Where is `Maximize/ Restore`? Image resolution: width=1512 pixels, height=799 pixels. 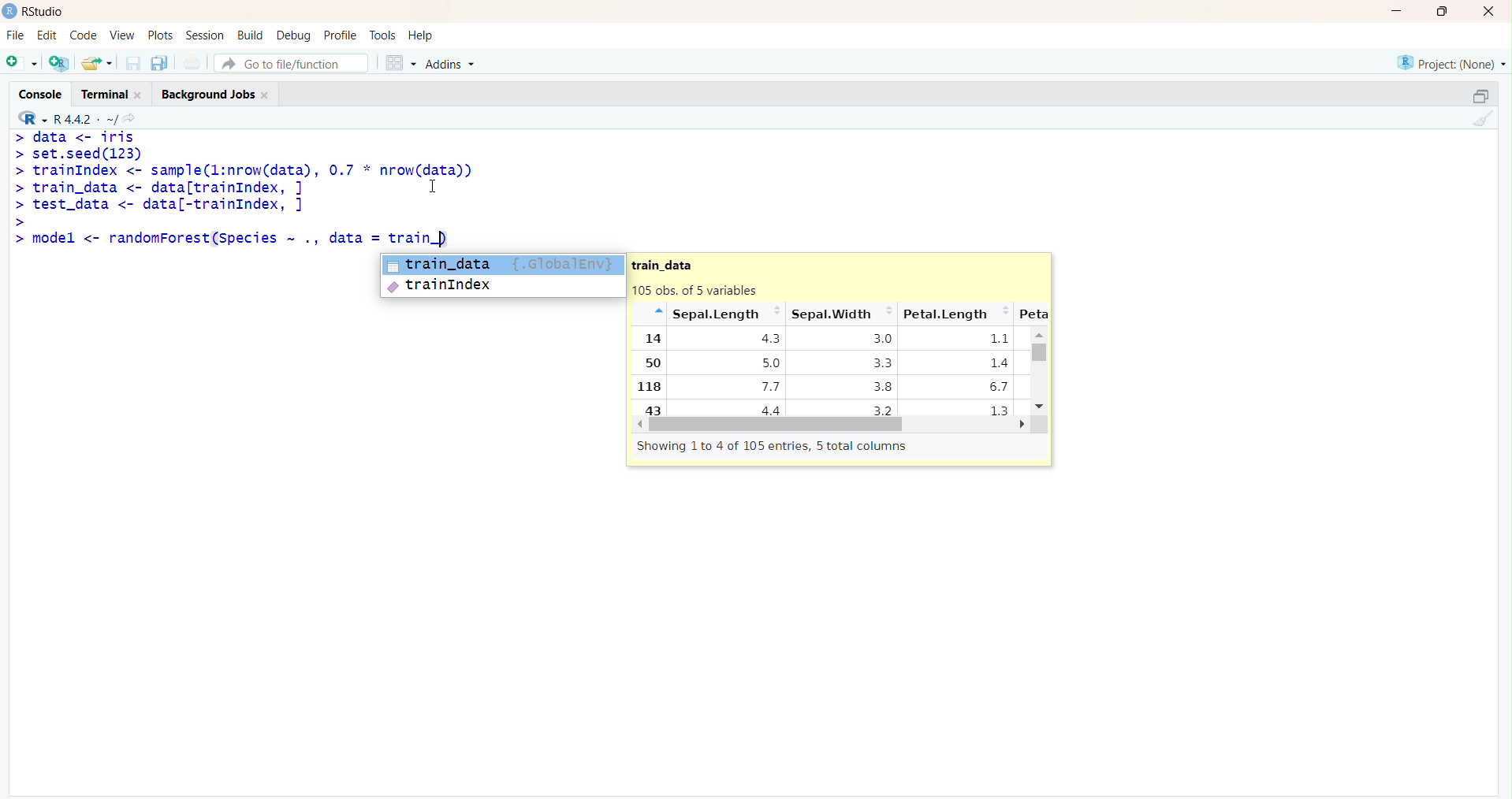 Maximize/ Restore is located at coordinates (1478, 95).